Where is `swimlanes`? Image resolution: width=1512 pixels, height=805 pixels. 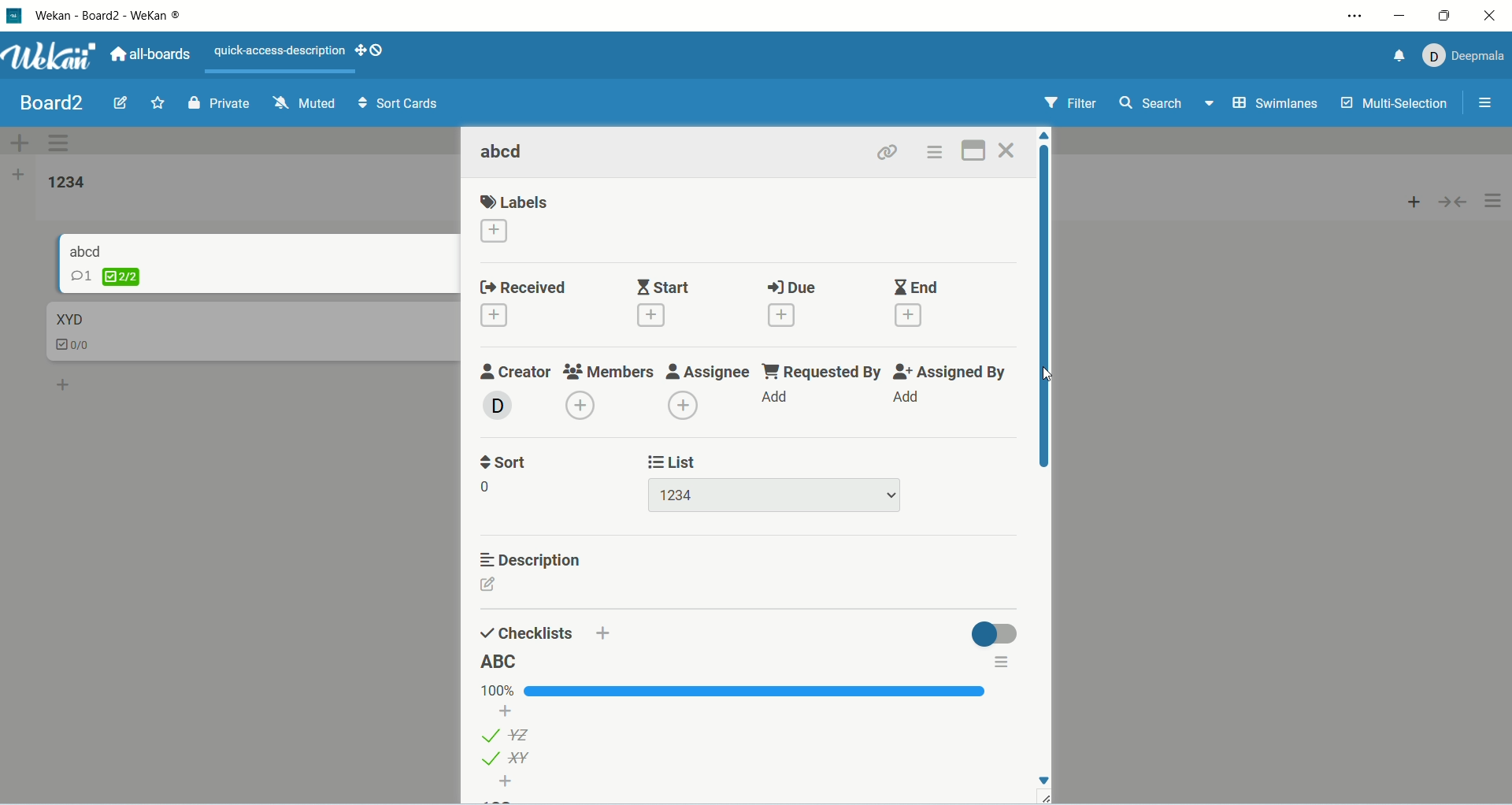
swimlanes is located at coordinates (1274, 104).